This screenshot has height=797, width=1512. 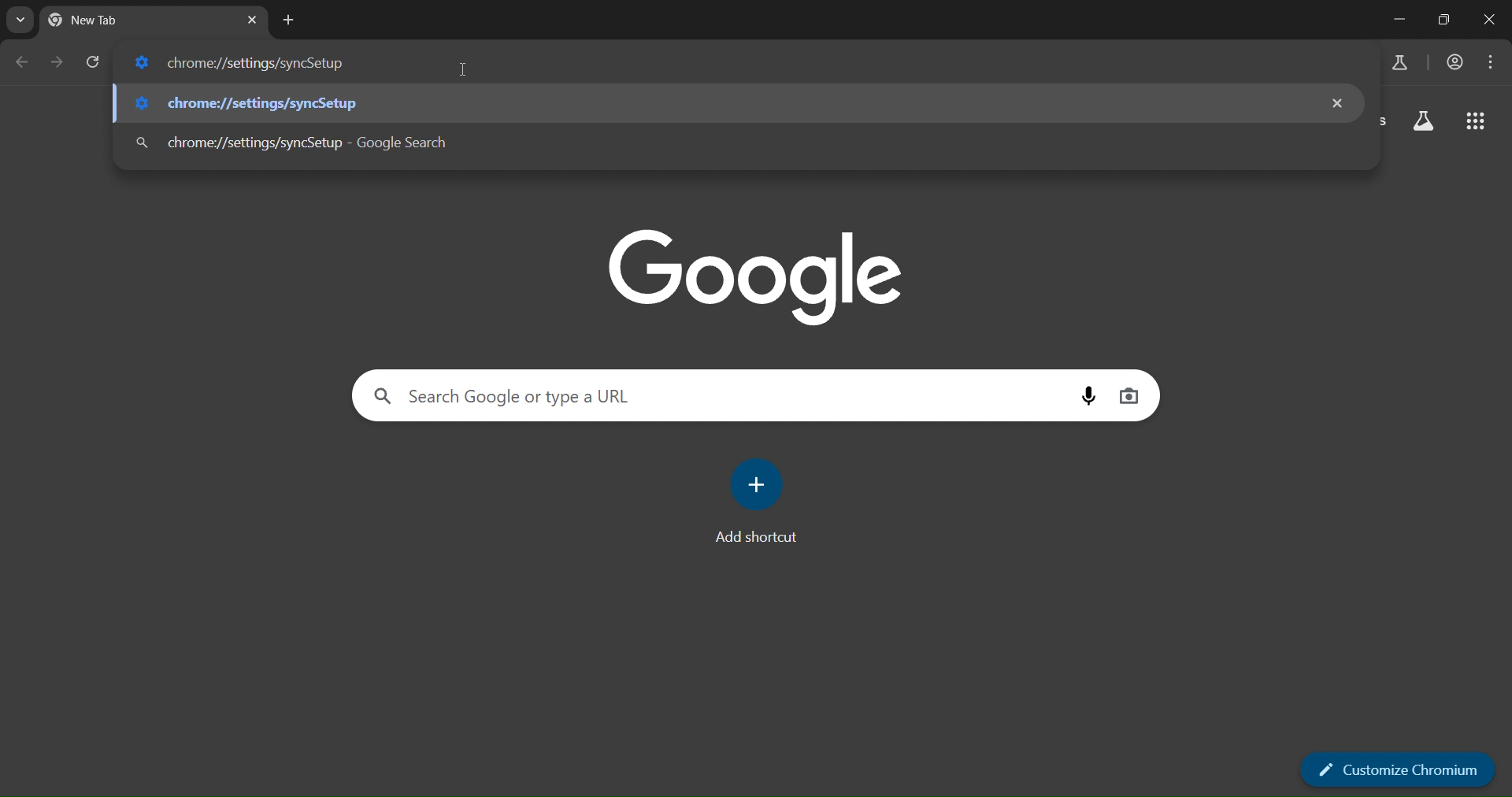 I want to click on voice search, so click(x=1091, y=396).